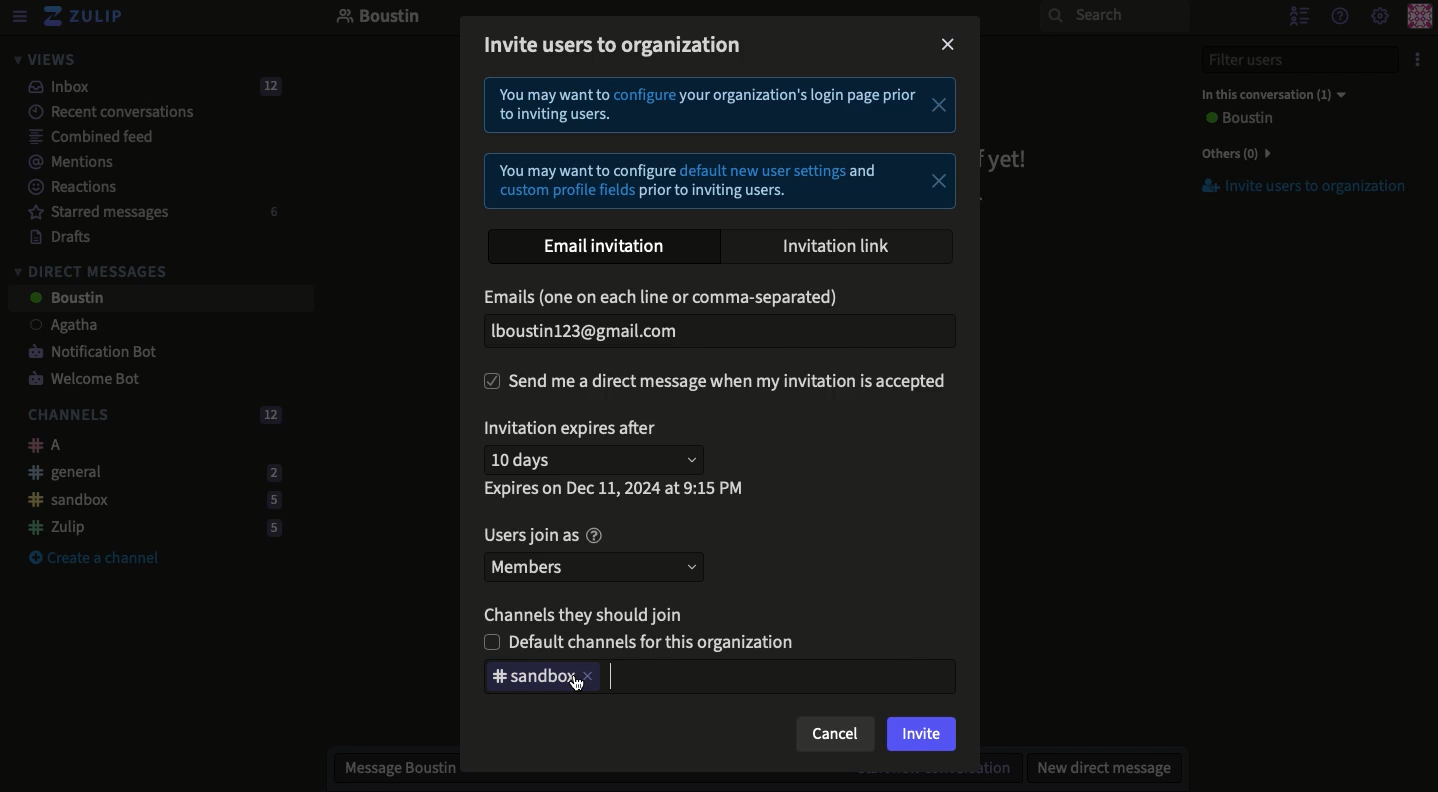 This screenshot has width=1438, height=792. What do you see at coordinates (720, 382) in the screenshot?
I see `Send DM when invitation is accepted` at bounding box center [720, 382].